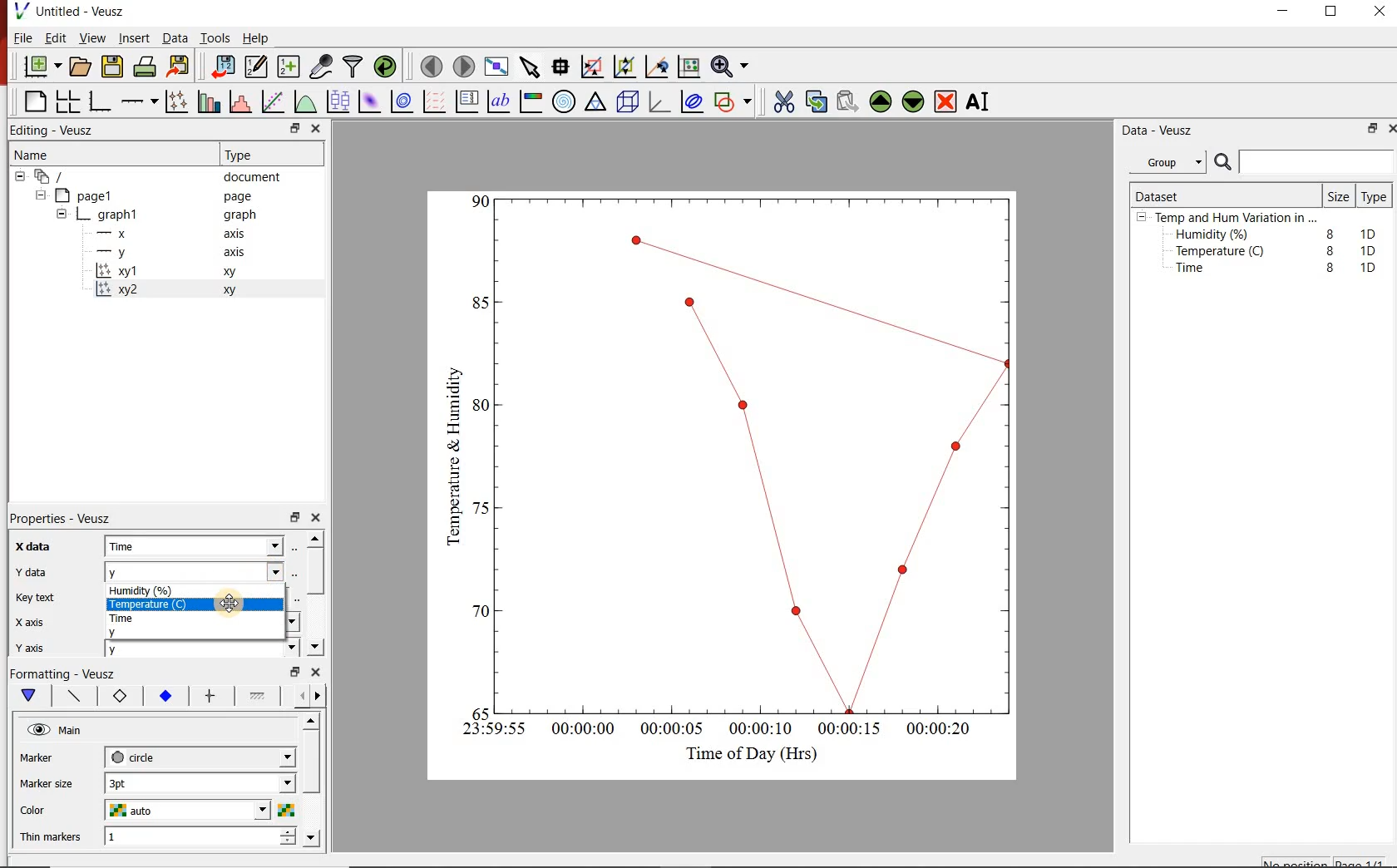 This screenshot has height=868, width=1397. What do you see at coordinates (57, 130) in the screenshot?
I see `Editing - Veusz` at bounding box center [57, 130].